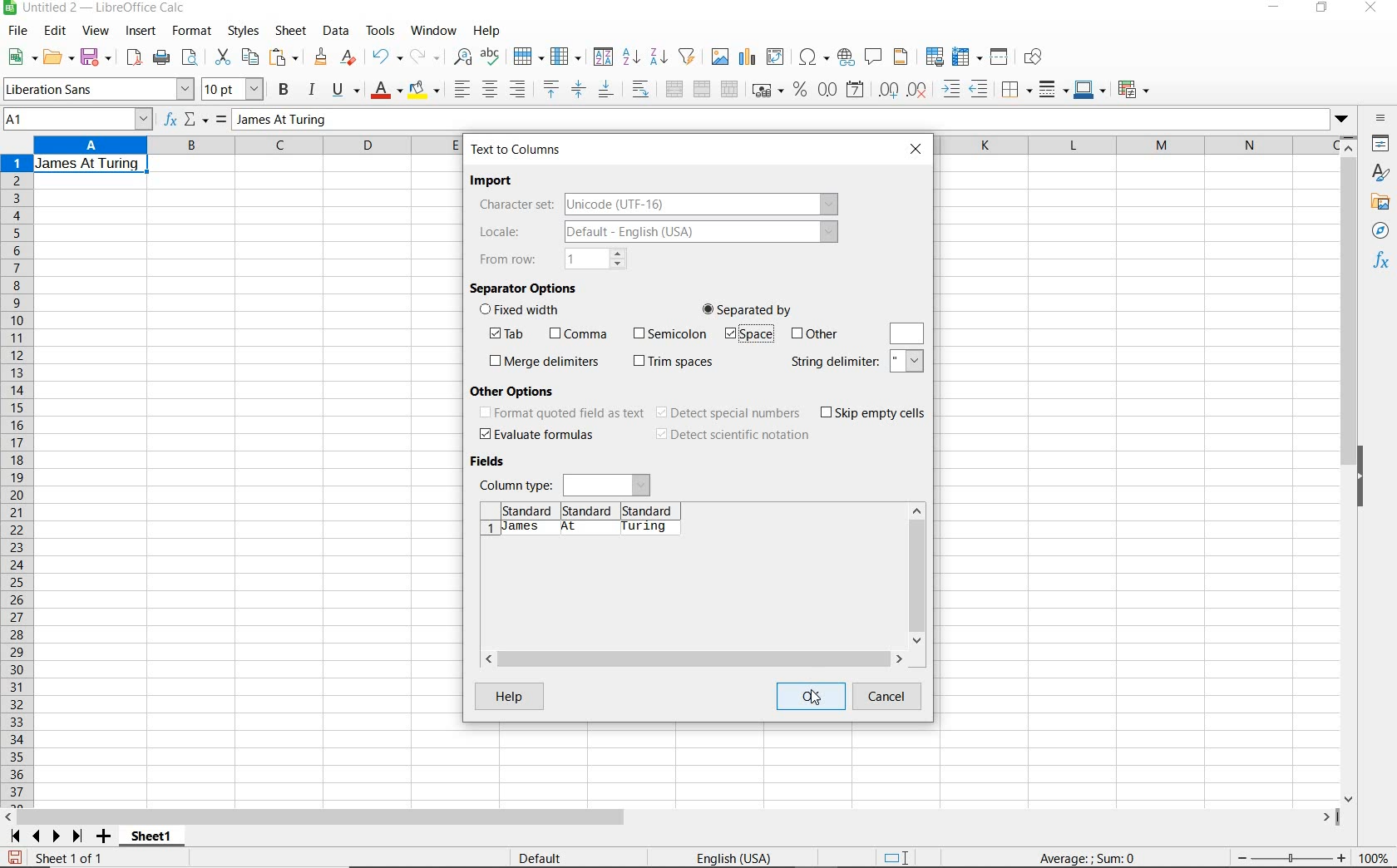 The image size is (1397, 868). I want to click on sort descending, so click(659, 57).